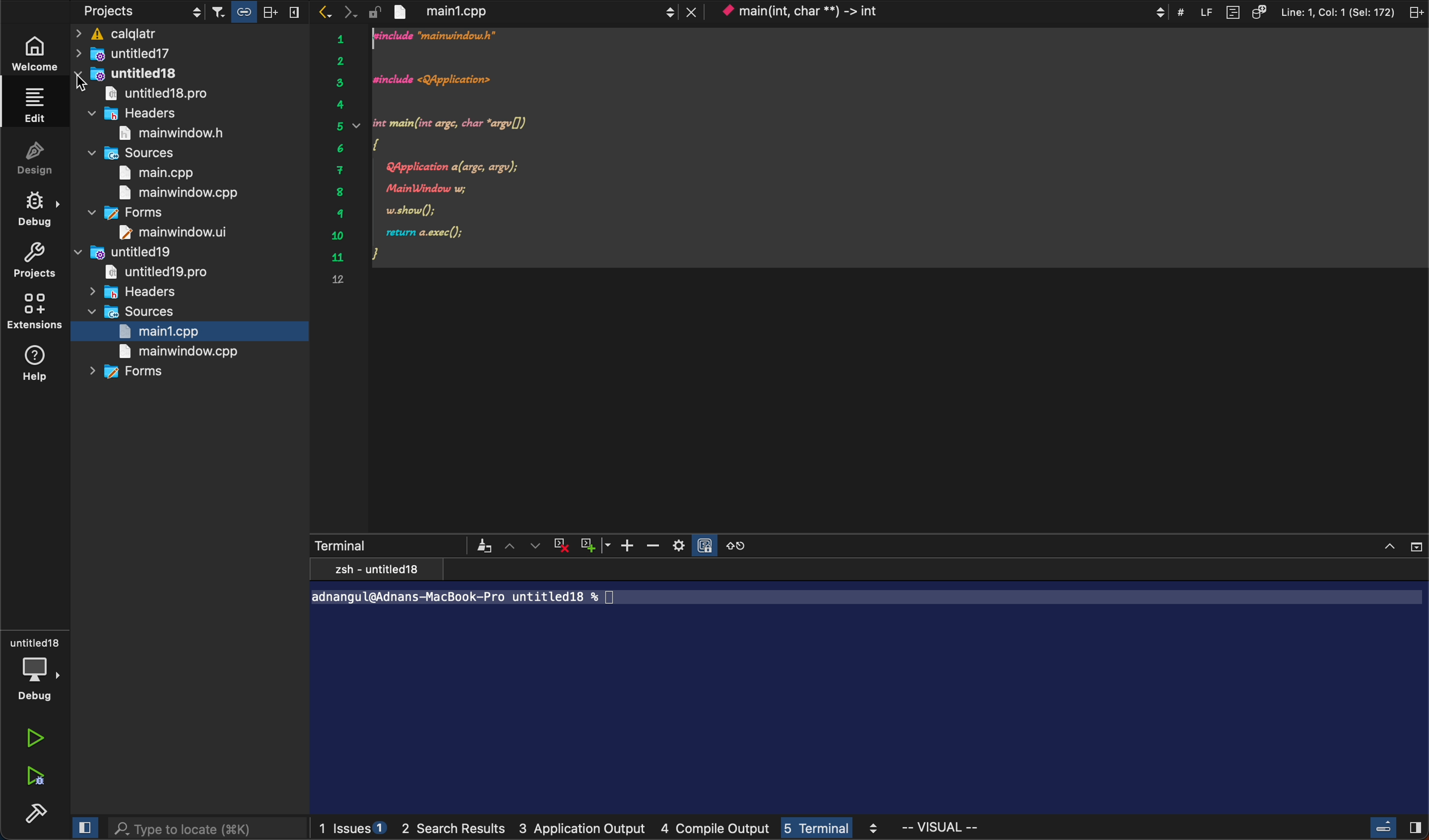  I want to click on extensions, so click(35, 313).